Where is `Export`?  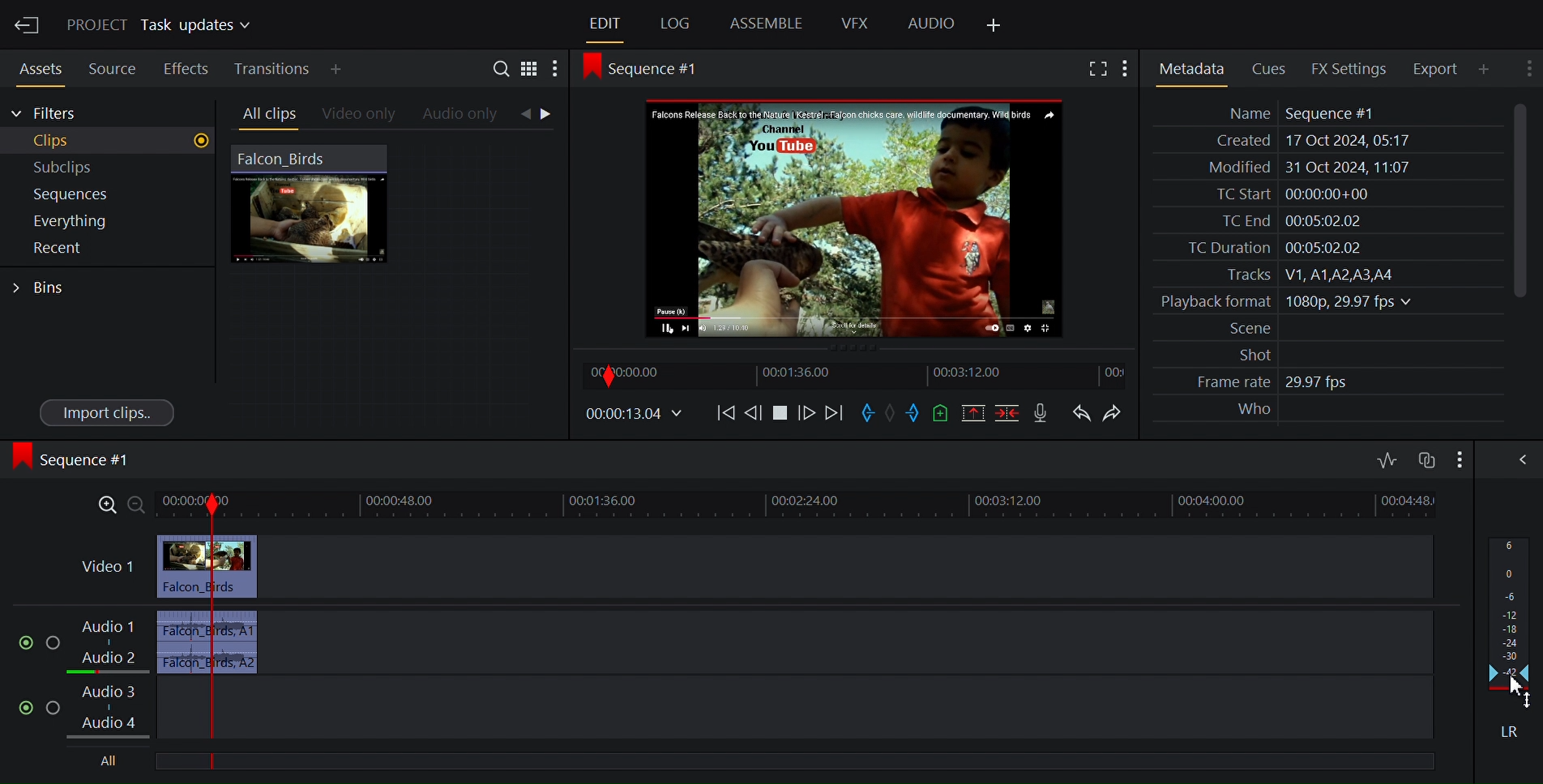
Export is located at coordinates (1434, 69).